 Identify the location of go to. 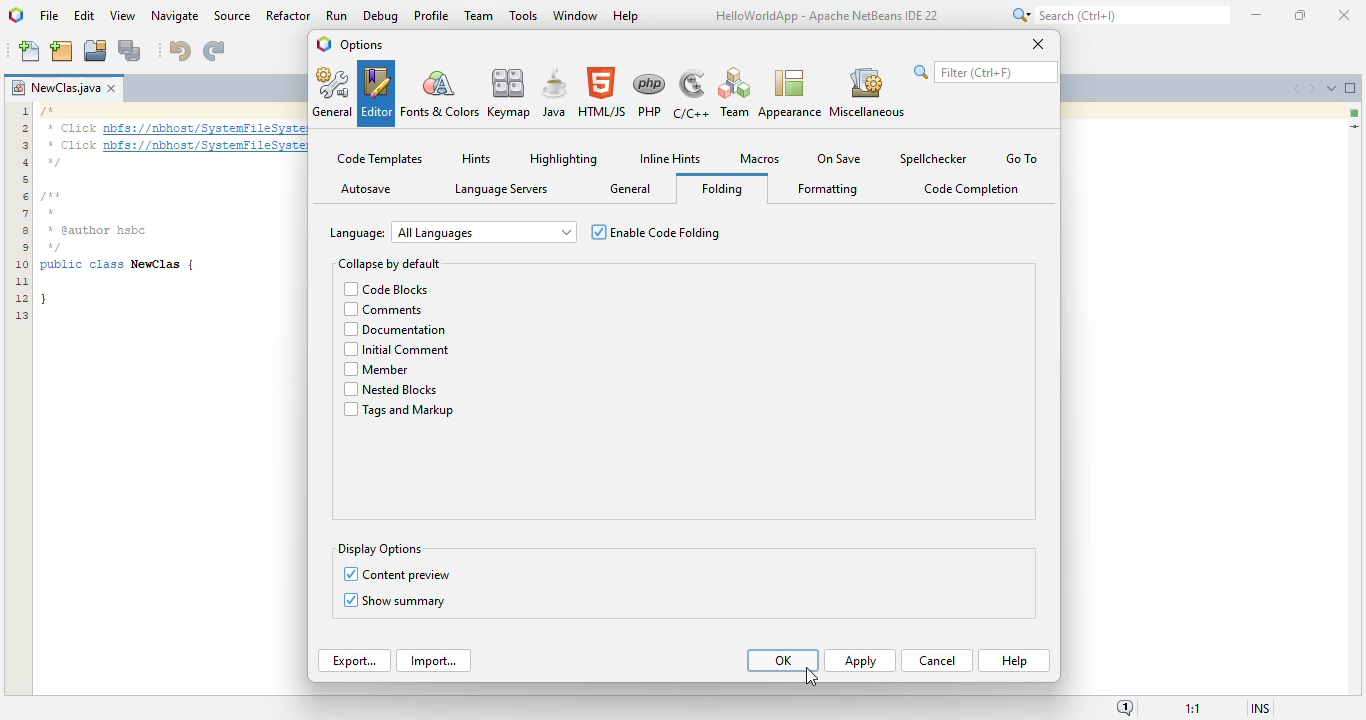
(1022, 158).